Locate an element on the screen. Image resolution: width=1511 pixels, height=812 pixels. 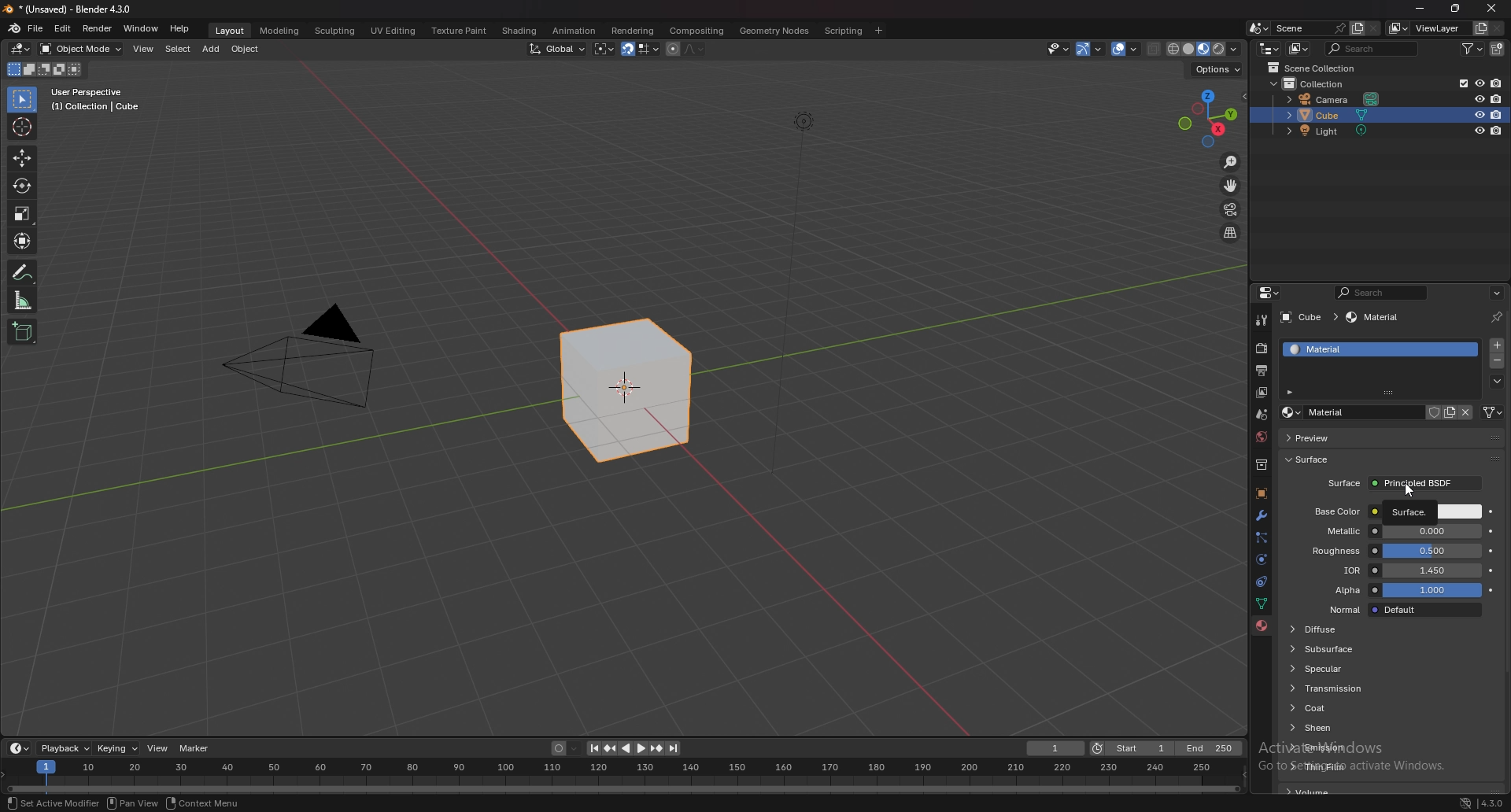
data is located at coordinates (1261, 603).